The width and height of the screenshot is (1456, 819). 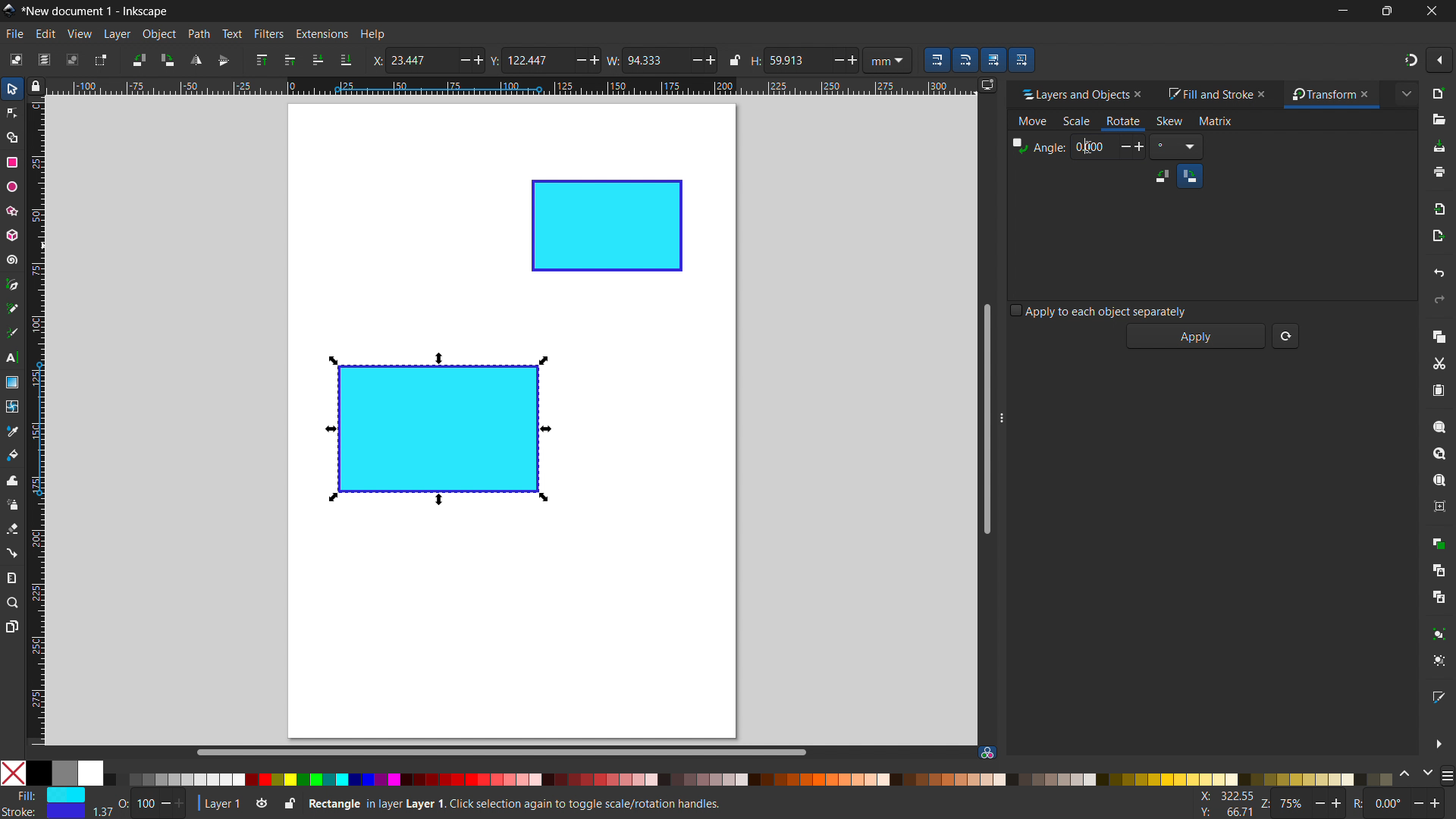 What do you see at coordinates (1208, 95) in the screenshot?
I see `fill and stroke` at bounding box center [1208, 95].